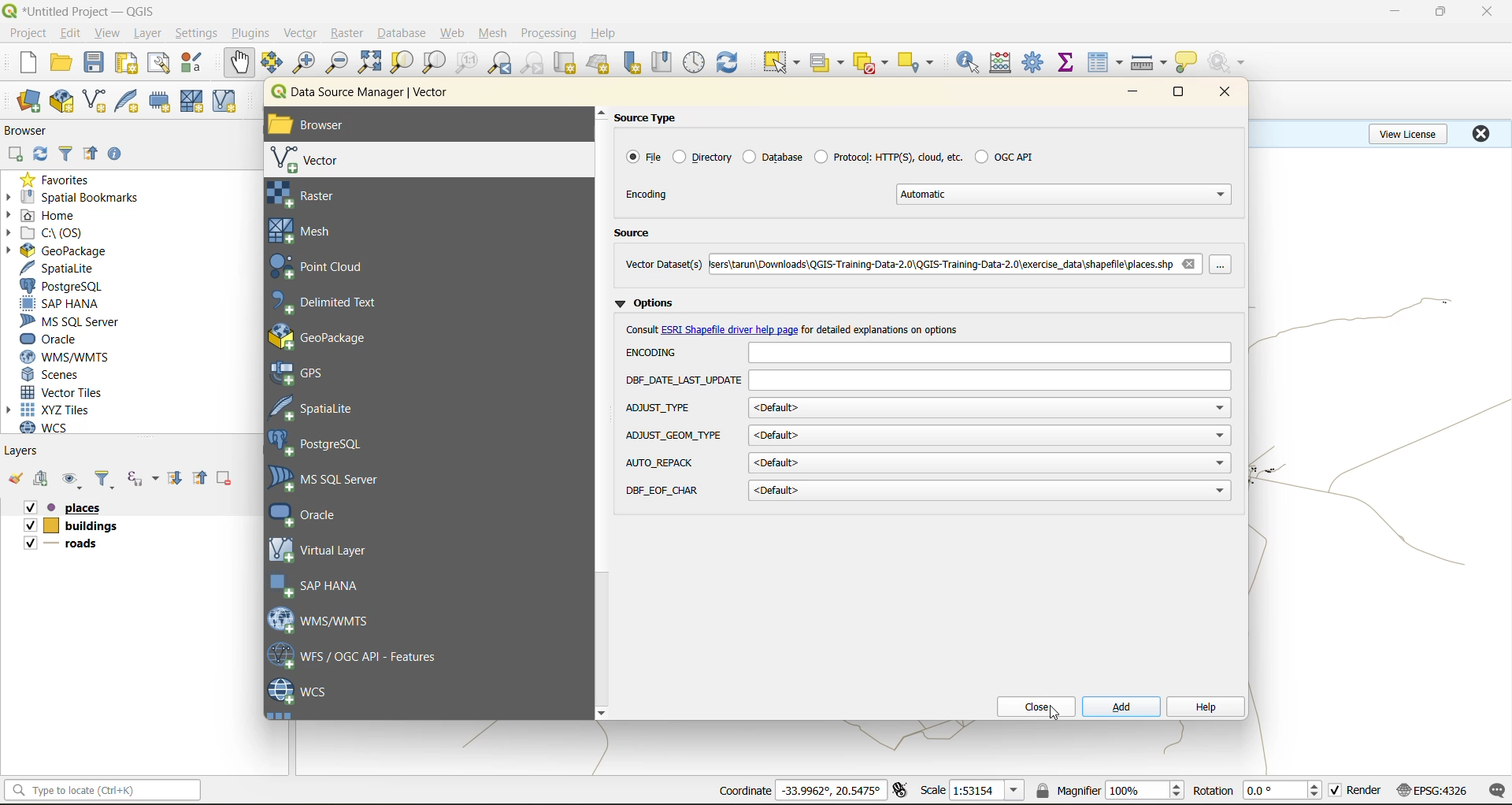 Image resolution: width=1512 pixels, height=805 pixels. What do you see at coordinates (600, 63) in the screenshot?
I see `new 3d map` at bounding box center [600, 63].